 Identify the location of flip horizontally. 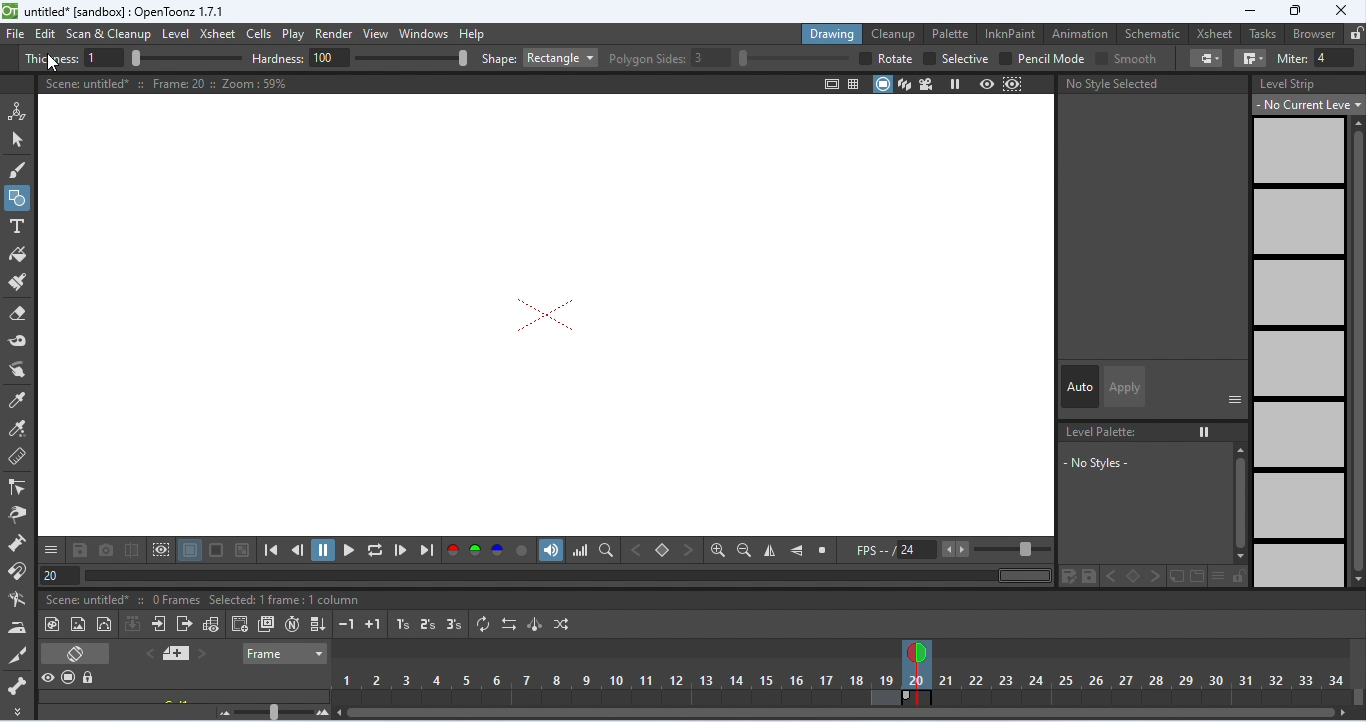
(770, 551).